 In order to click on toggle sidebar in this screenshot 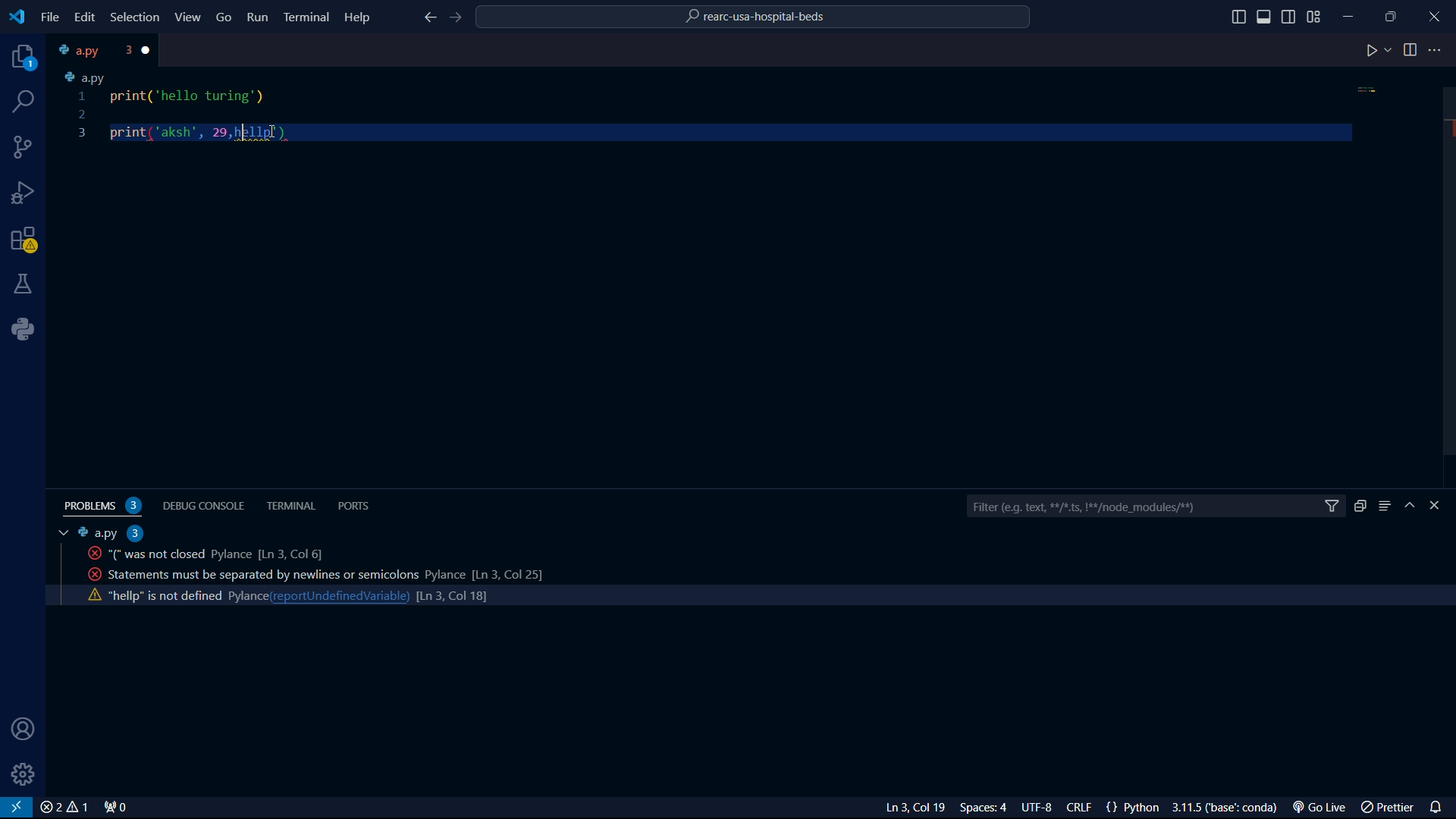, I will do `click(1266, 17)`.